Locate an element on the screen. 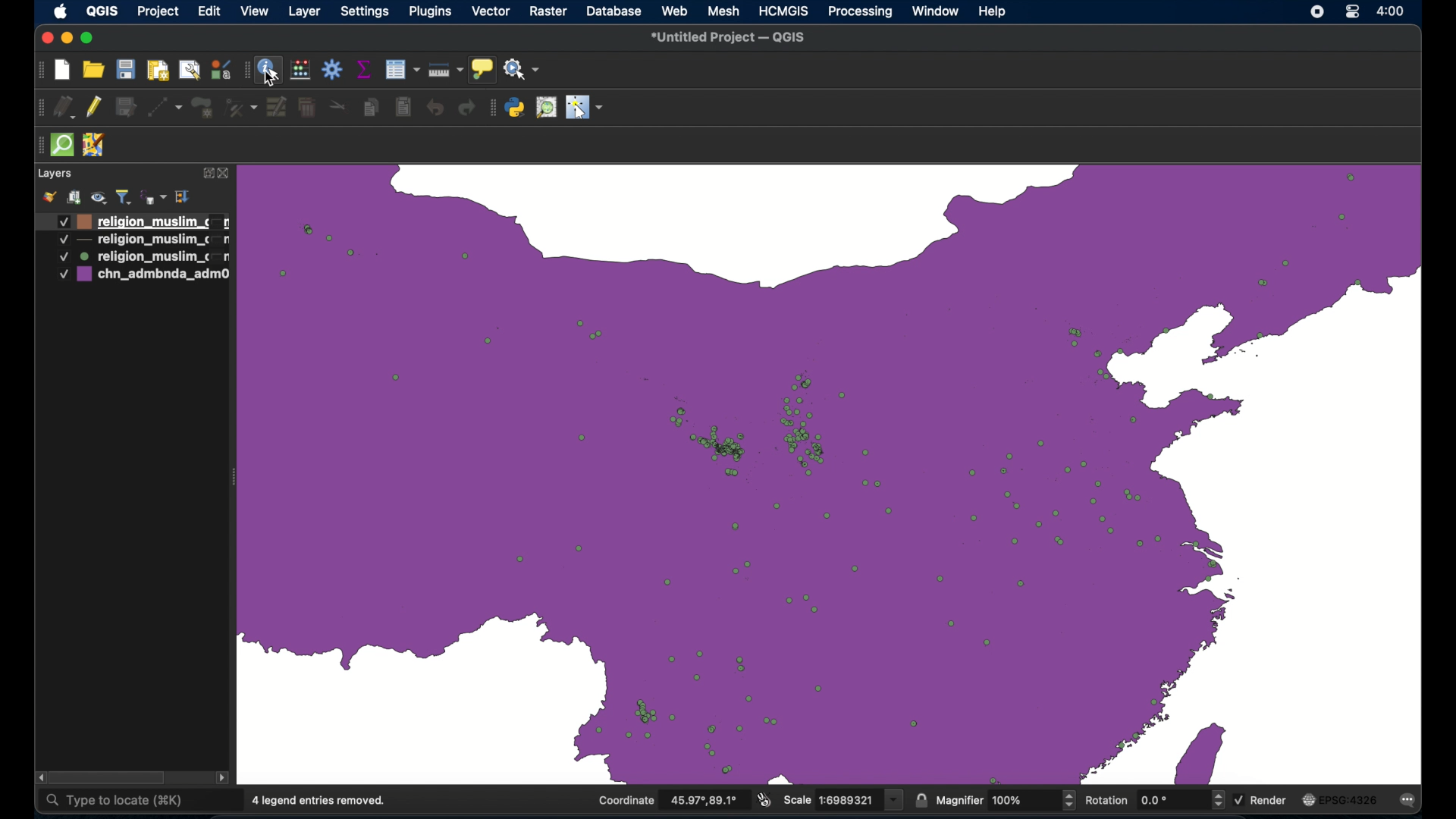 This screenshot has height=819, width=1456. layer 1 is located at coordinates (140, 221).